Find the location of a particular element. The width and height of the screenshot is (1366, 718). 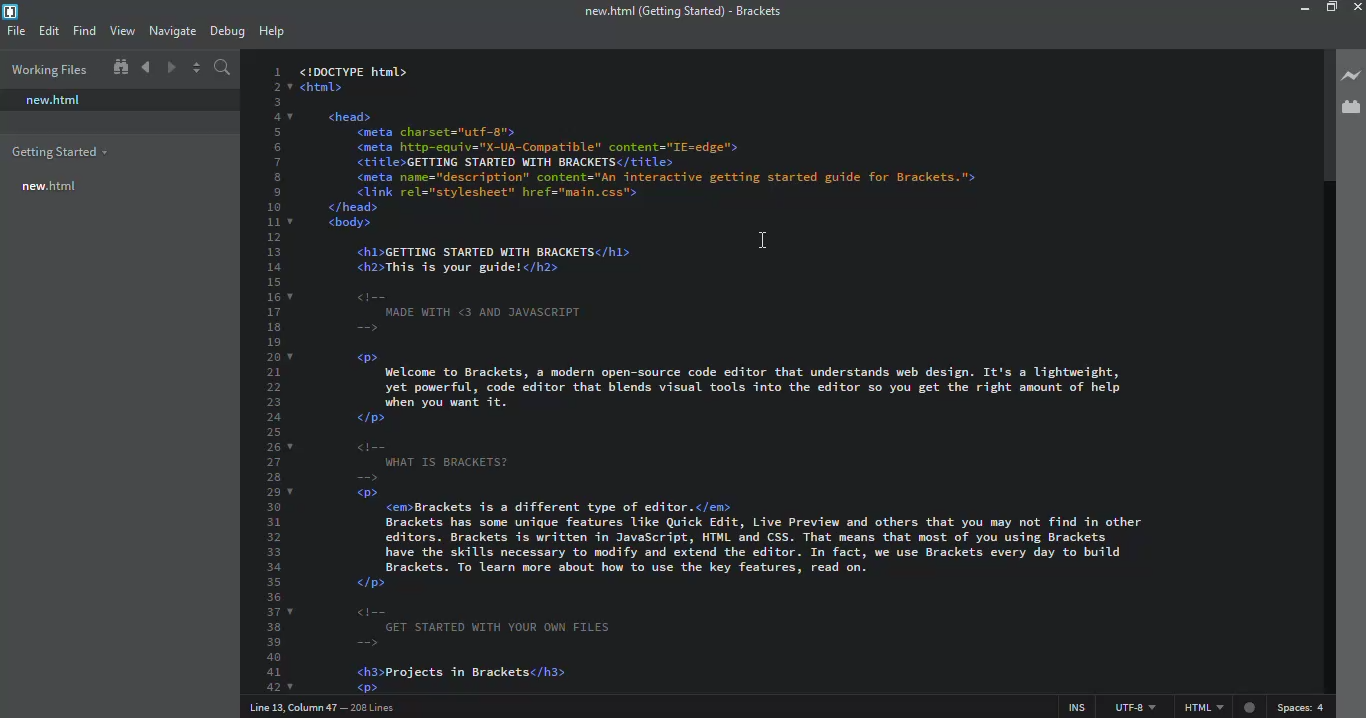

find is located at coordinates (84, 31).